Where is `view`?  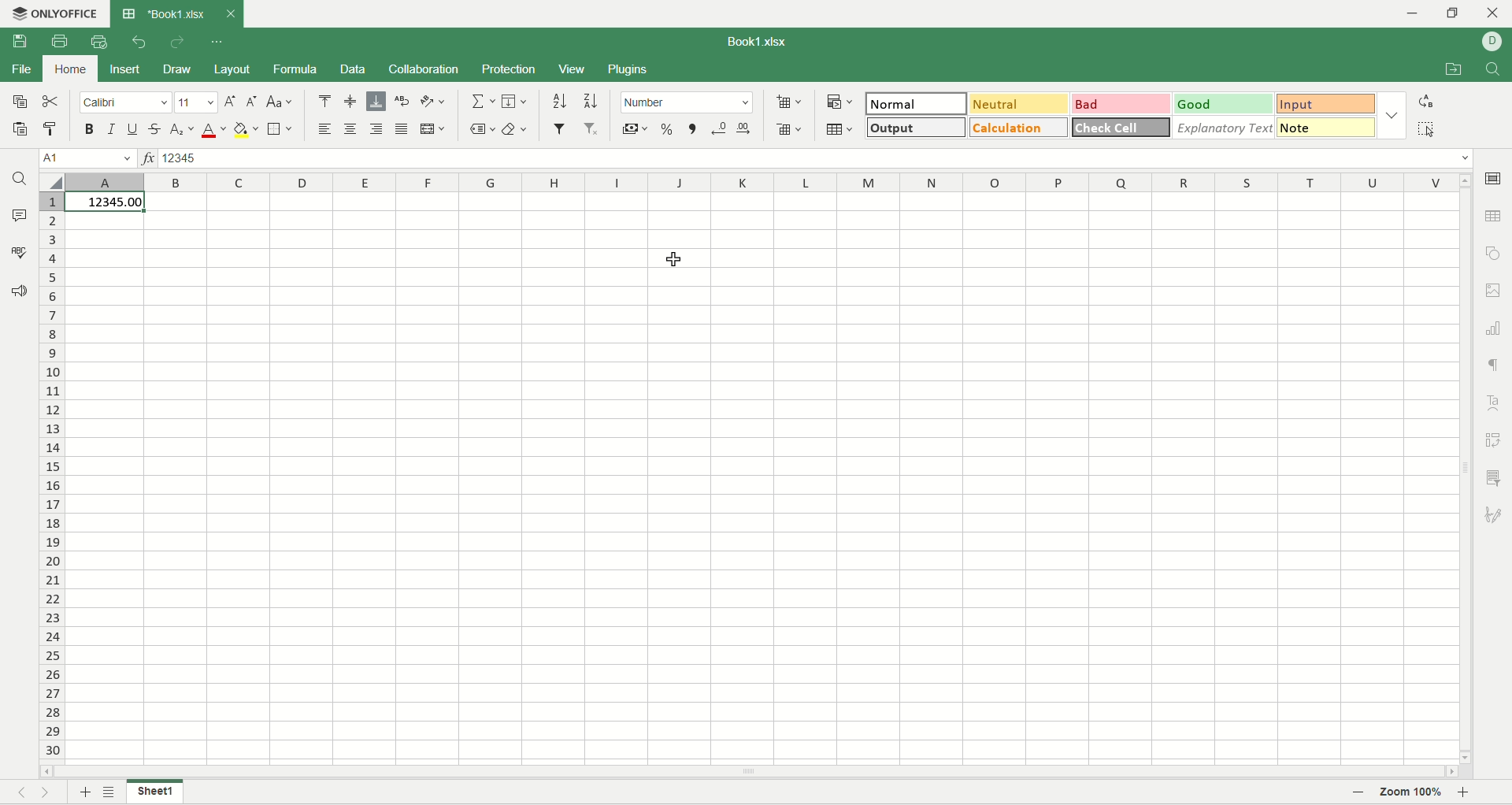
view is located at coordinates (576, 69).